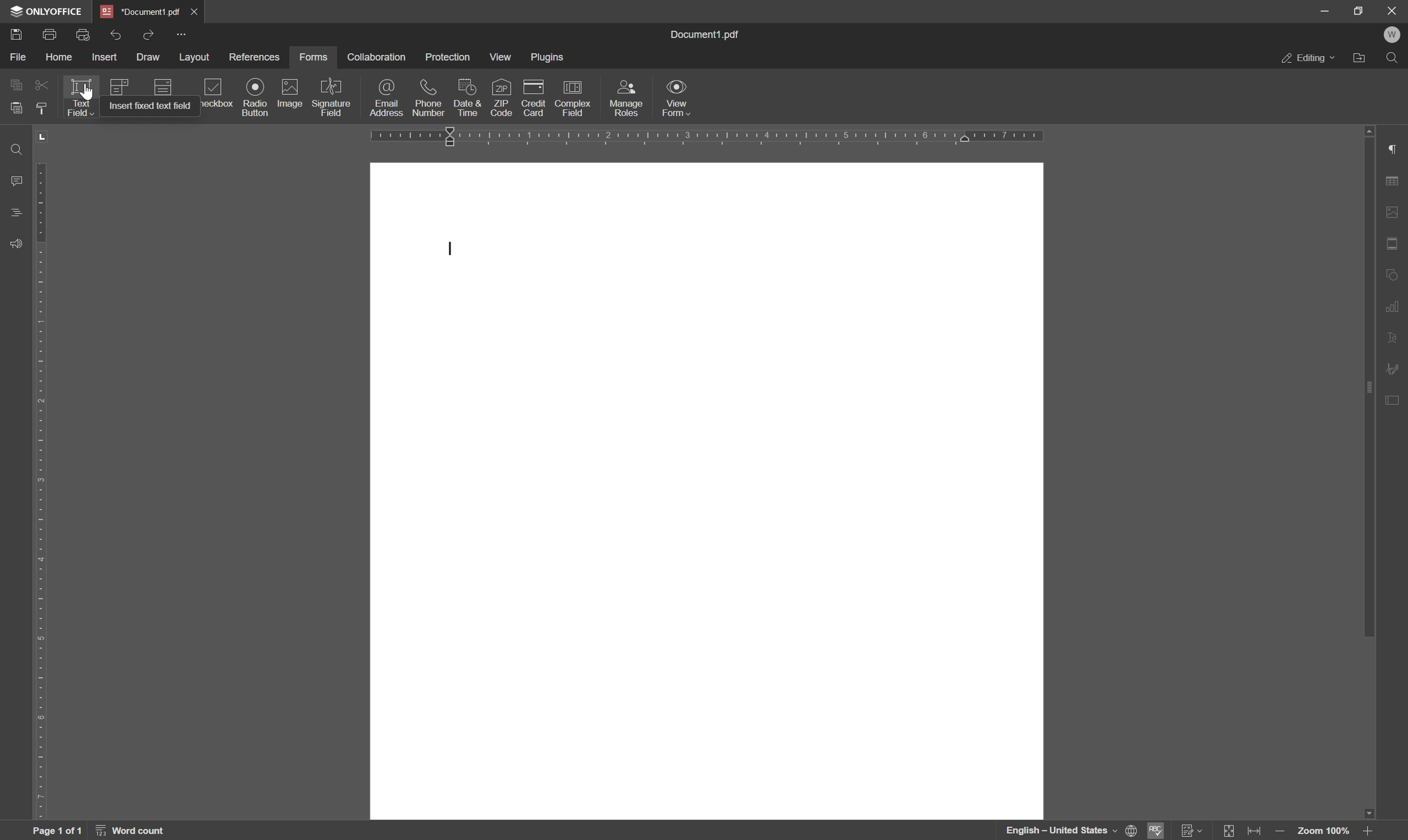 The height and width of the screenshot is (840, 1408). What do you see at coordinates (1131, 832) in the screenshot?
I see `set document language` at bounding box center [1131, 832].